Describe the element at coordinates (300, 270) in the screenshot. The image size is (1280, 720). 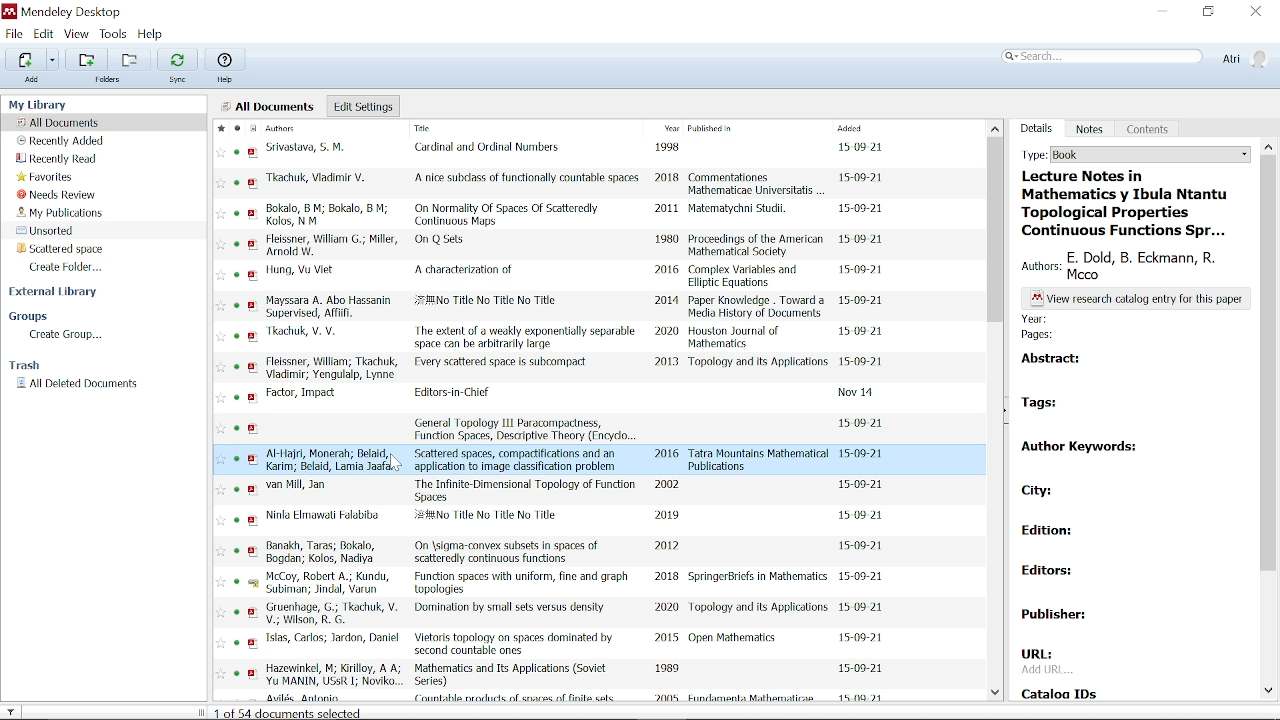
I see `authors` at that location.